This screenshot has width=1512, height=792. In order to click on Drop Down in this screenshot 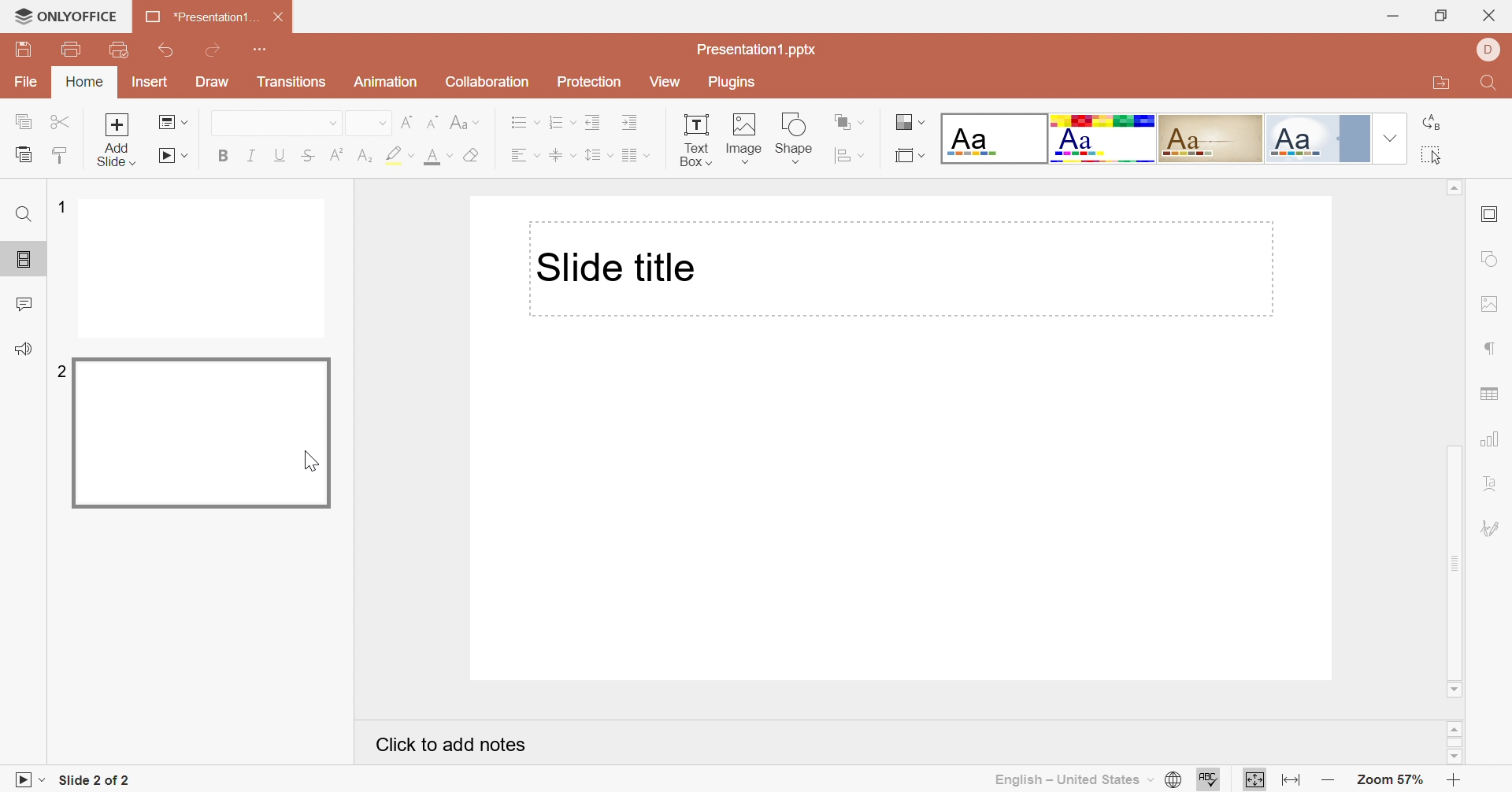, I will do `click(1390, 138)`.